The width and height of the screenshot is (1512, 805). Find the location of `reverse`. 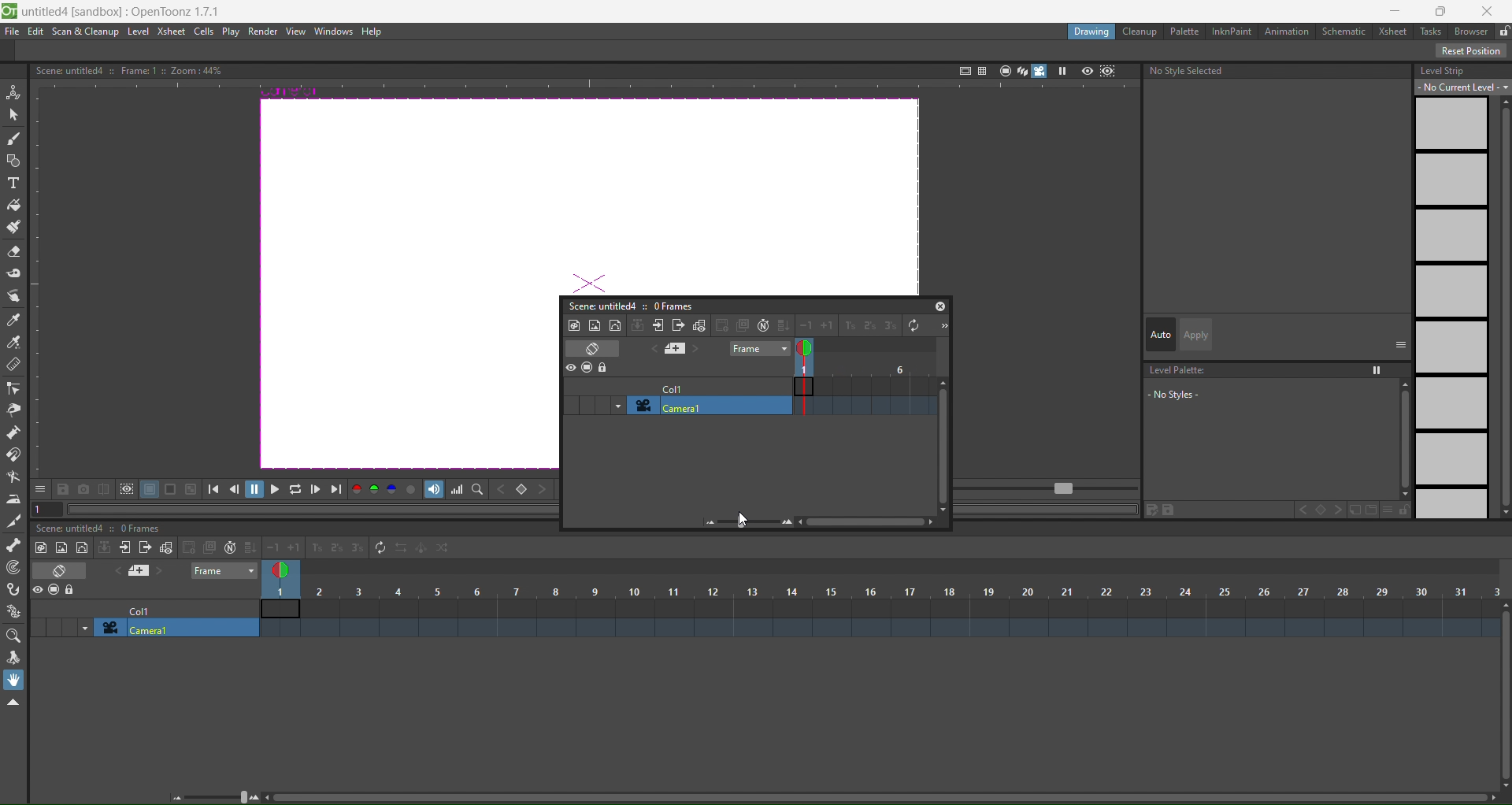

reverse is located at coordinates (400, 549).